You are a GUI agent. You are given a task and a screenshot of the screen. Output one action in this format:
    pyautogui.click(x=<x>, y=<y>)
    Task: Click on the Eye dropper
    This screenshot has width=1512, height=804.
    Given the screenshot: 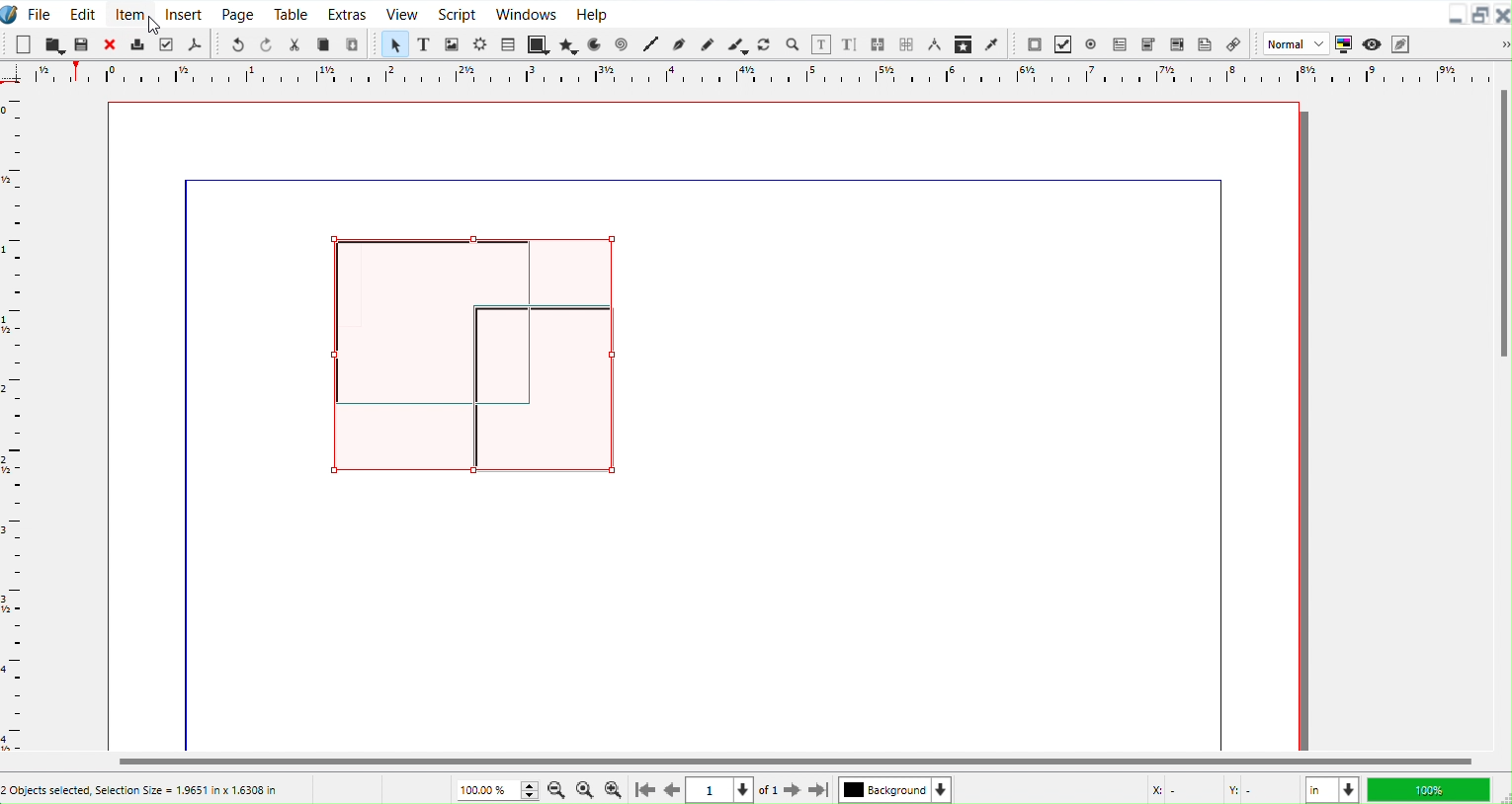 What is the action you would take?
    pyautogui.click(x=992, y=43)
    